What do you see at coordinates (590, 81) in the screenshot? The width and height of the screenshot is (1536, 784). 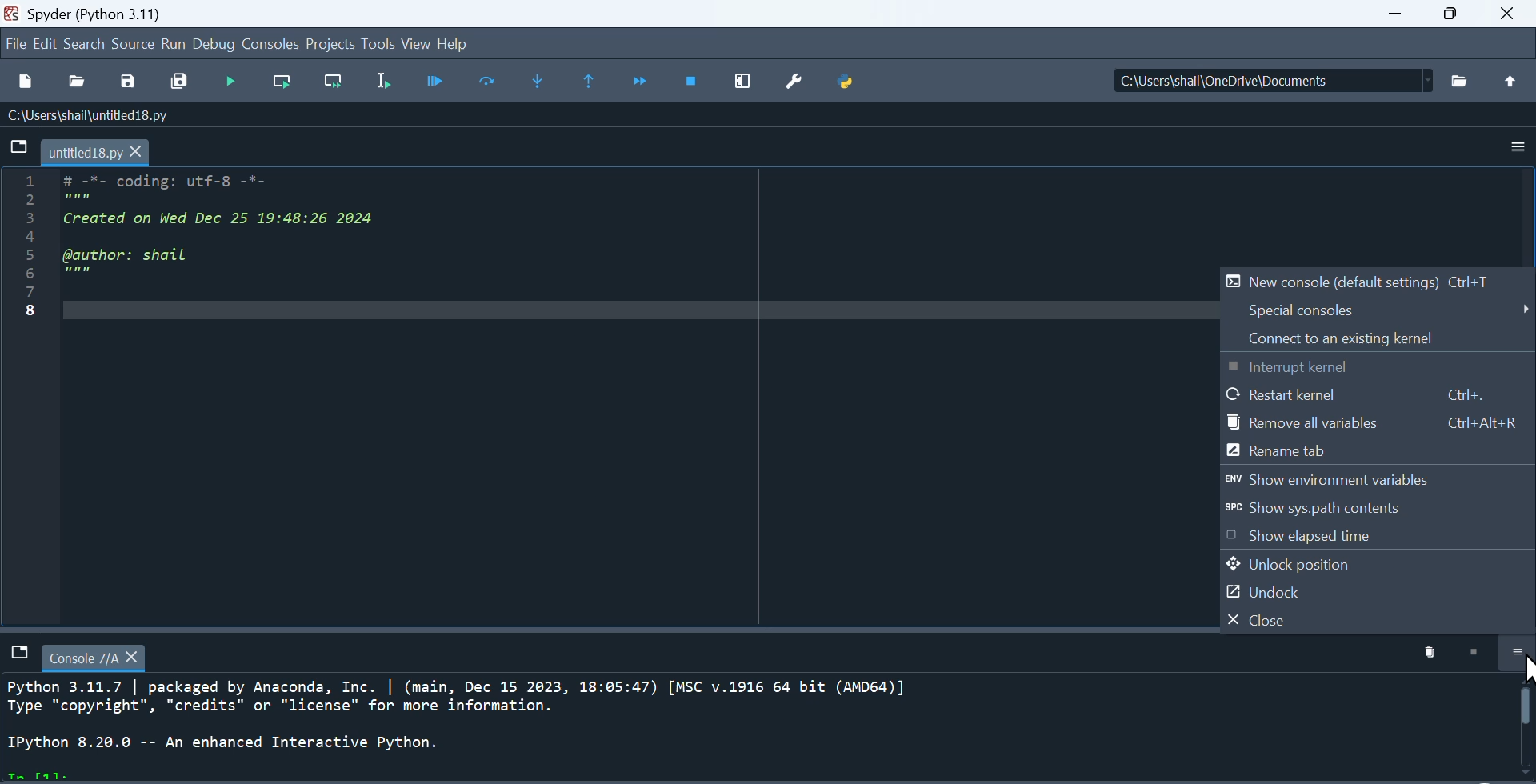 I see `execute until` at bounding box center [590, 81].